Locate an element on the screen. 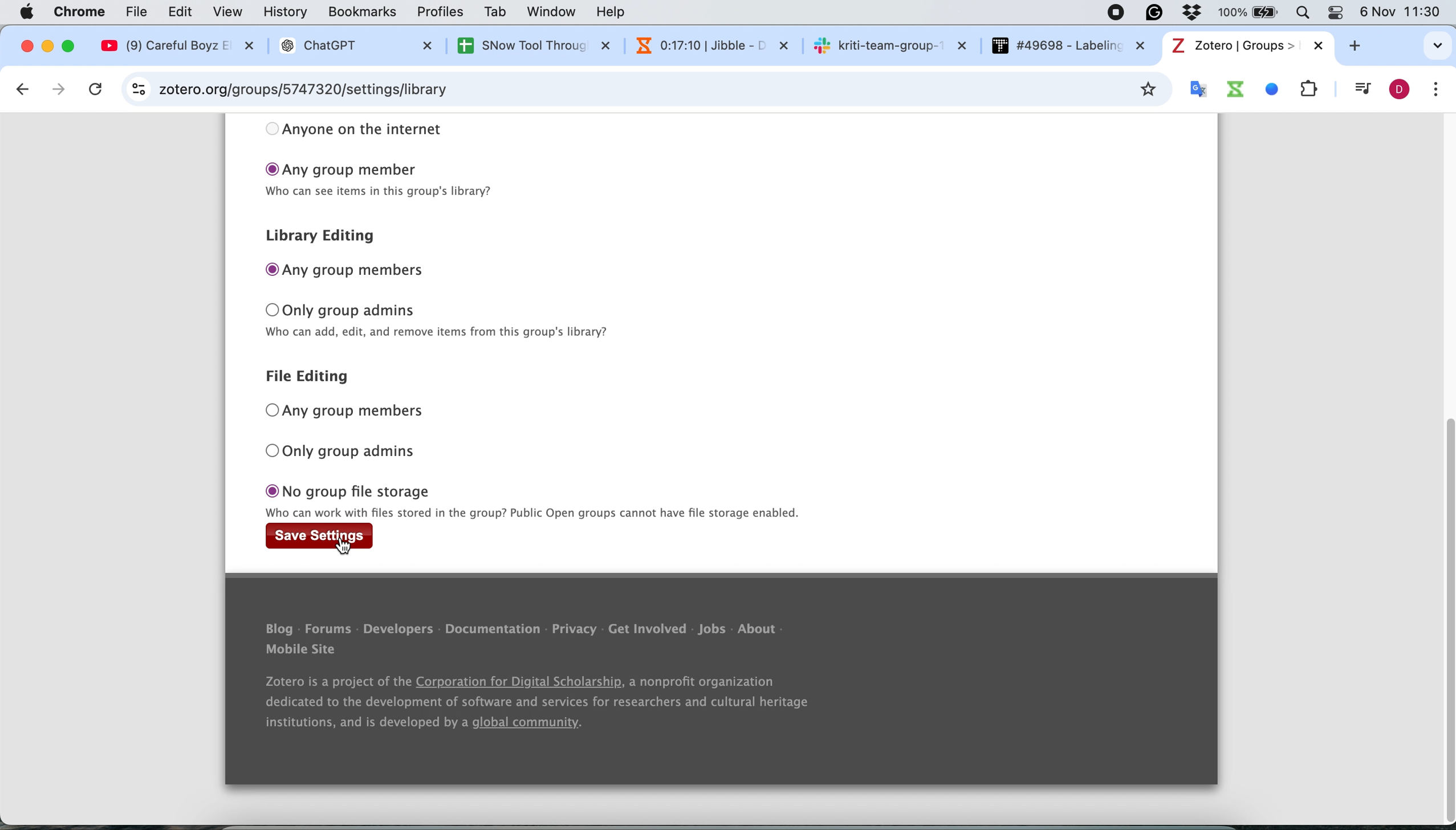 The height and width of the screenshot is (830, 1456). N 0:16:54 | Jibble - 1 x is located at coordinates (703, 44).